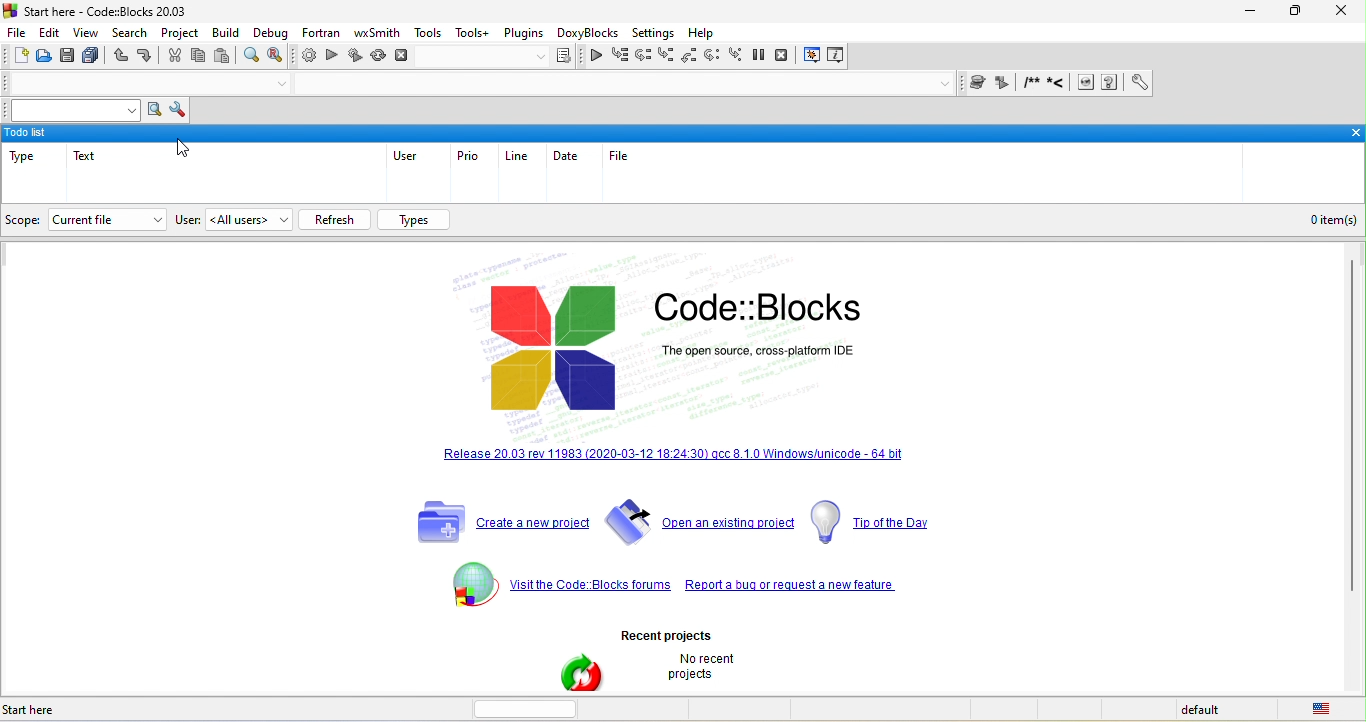 This screenshot has height=722, width=1366. I want to click on open tab, so click(616, 86).